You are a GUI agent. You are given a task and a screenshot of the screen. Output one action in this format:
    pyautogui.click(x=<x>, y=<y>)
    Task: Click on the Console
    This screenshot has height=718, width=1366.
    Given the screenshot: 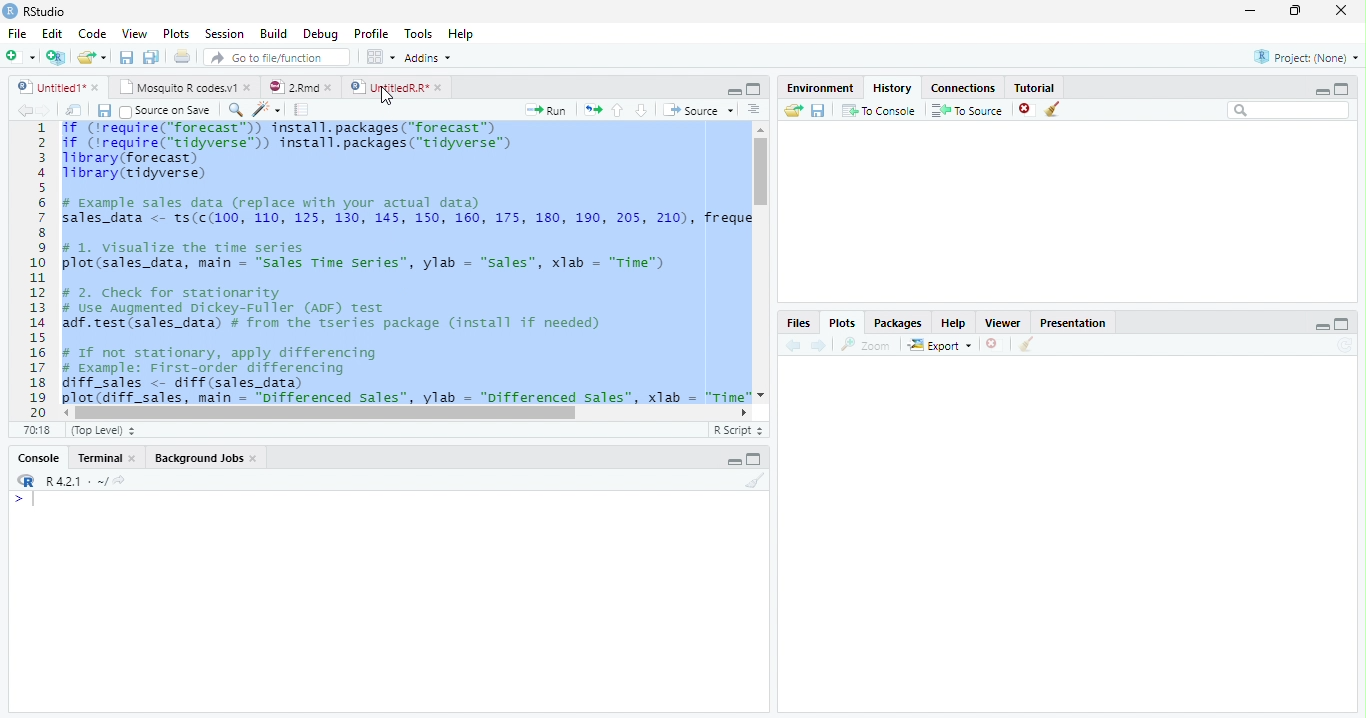 What is the action you would take?
    pyautogui.click(x=40, y=457)
    